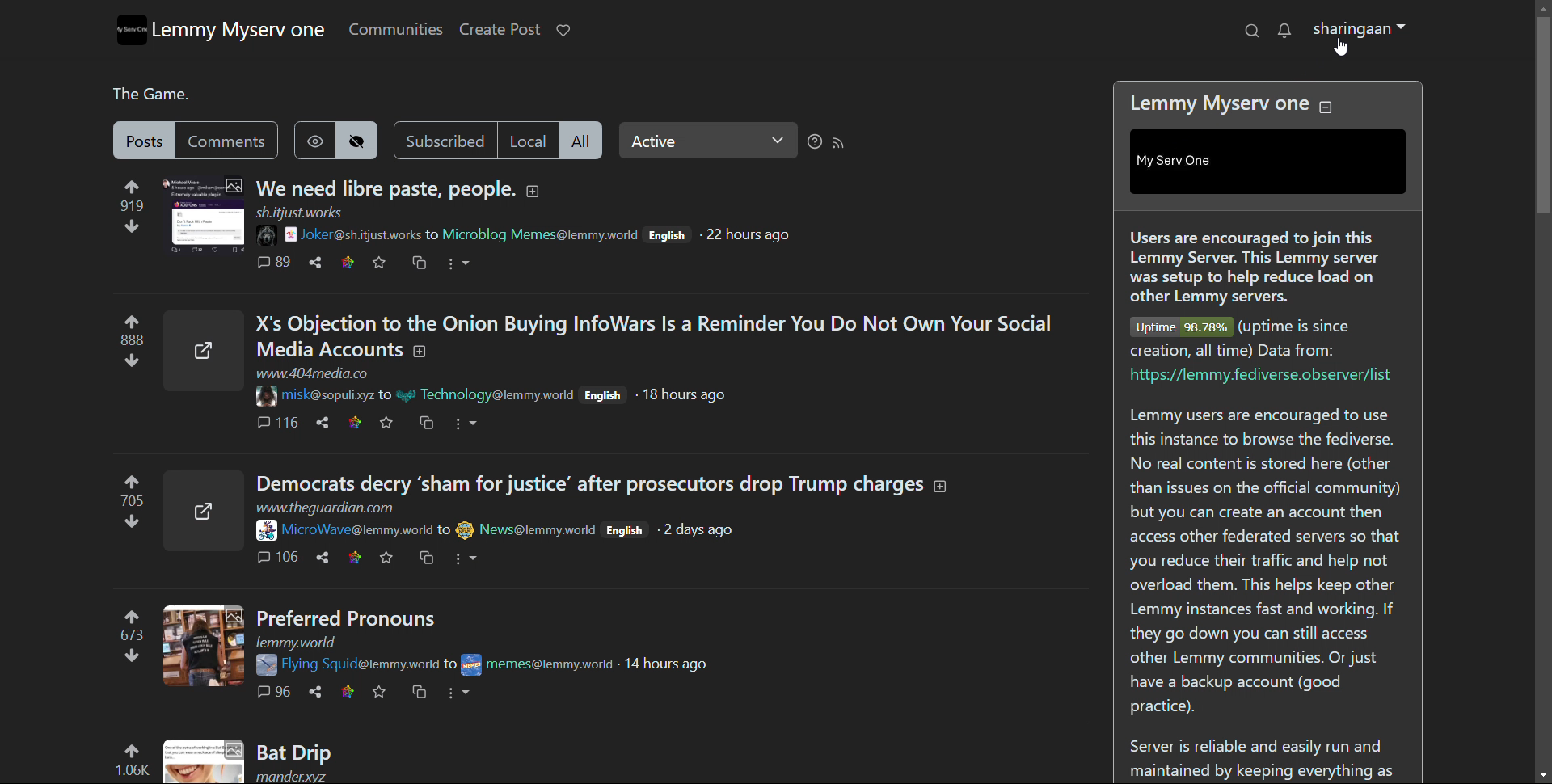  What do you see at coordinates (265, 531) in the screenshot?
I see `poster display picture` at bounding box center [265, 531].